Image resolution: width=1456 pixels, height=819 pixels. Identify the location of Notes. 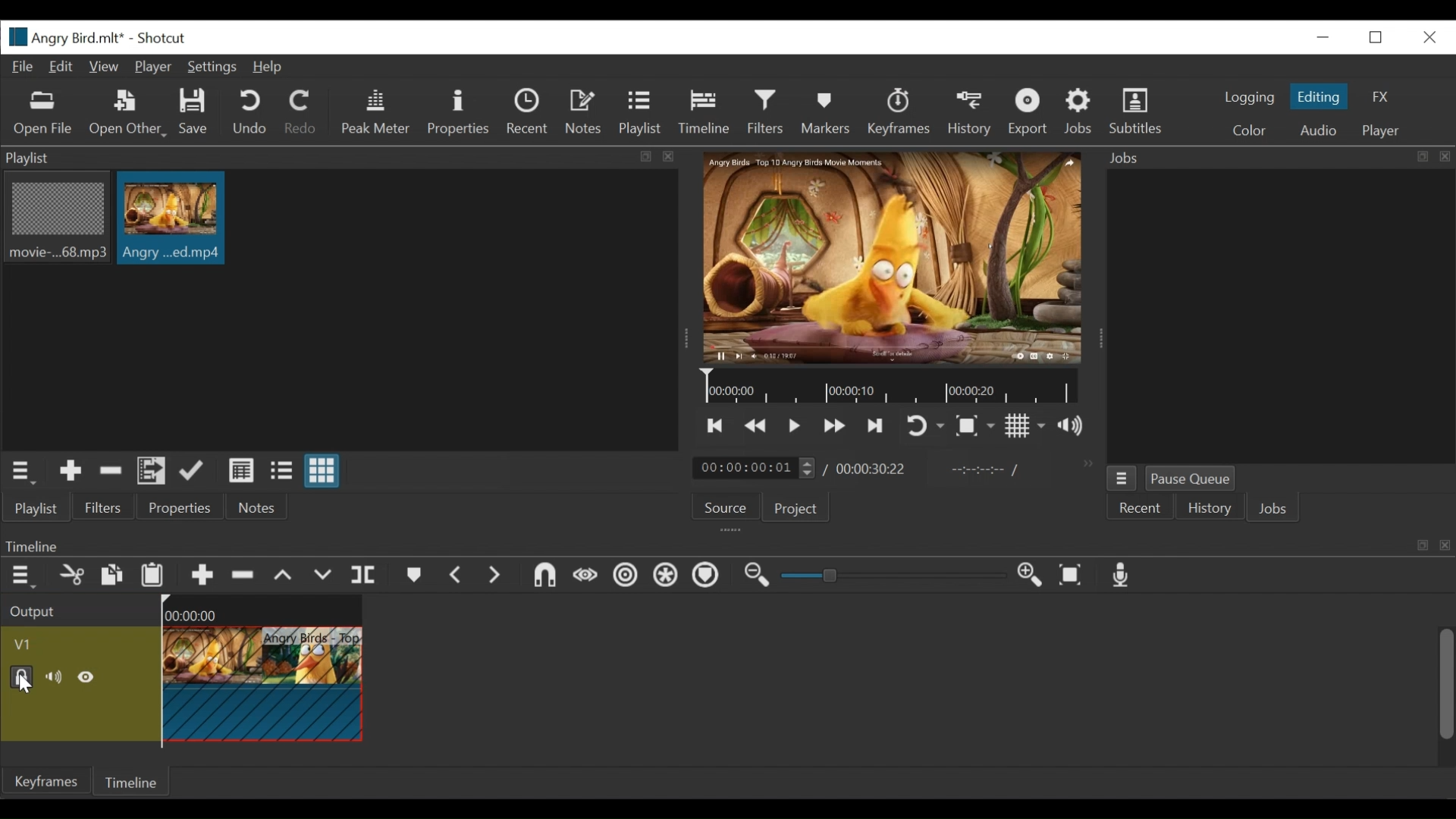
(253, 507).